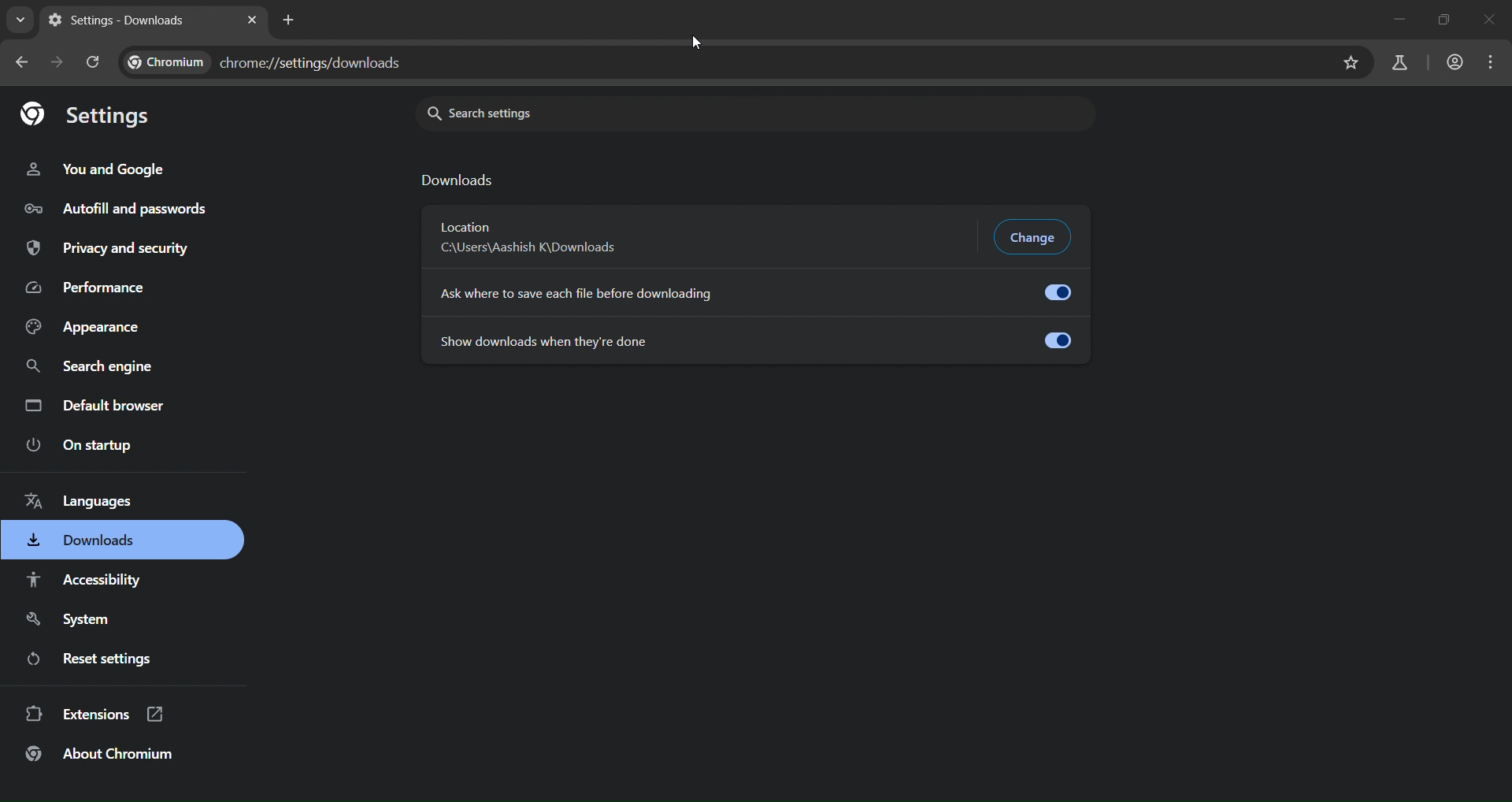 The height and width of the screenshot is (802, 1512). What do you see at coordinates (88, 369) in the screenshot?
I see `search engine` at bounding box center [88, 369].